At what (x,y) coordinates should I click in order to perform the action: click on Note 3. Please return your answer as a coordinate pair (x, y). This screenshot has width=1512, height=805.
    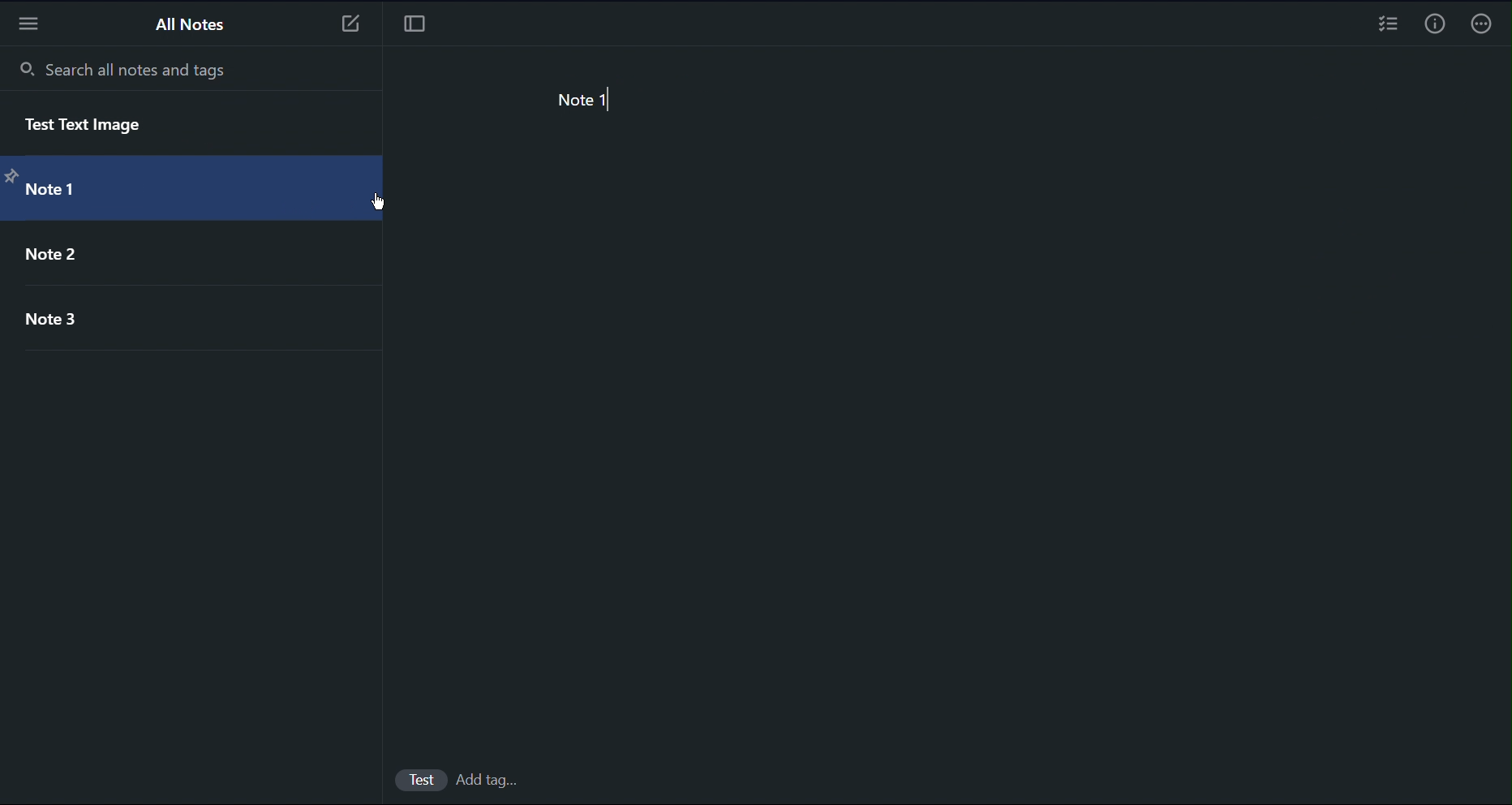
    Looking at the image, I should click on (59, 325).